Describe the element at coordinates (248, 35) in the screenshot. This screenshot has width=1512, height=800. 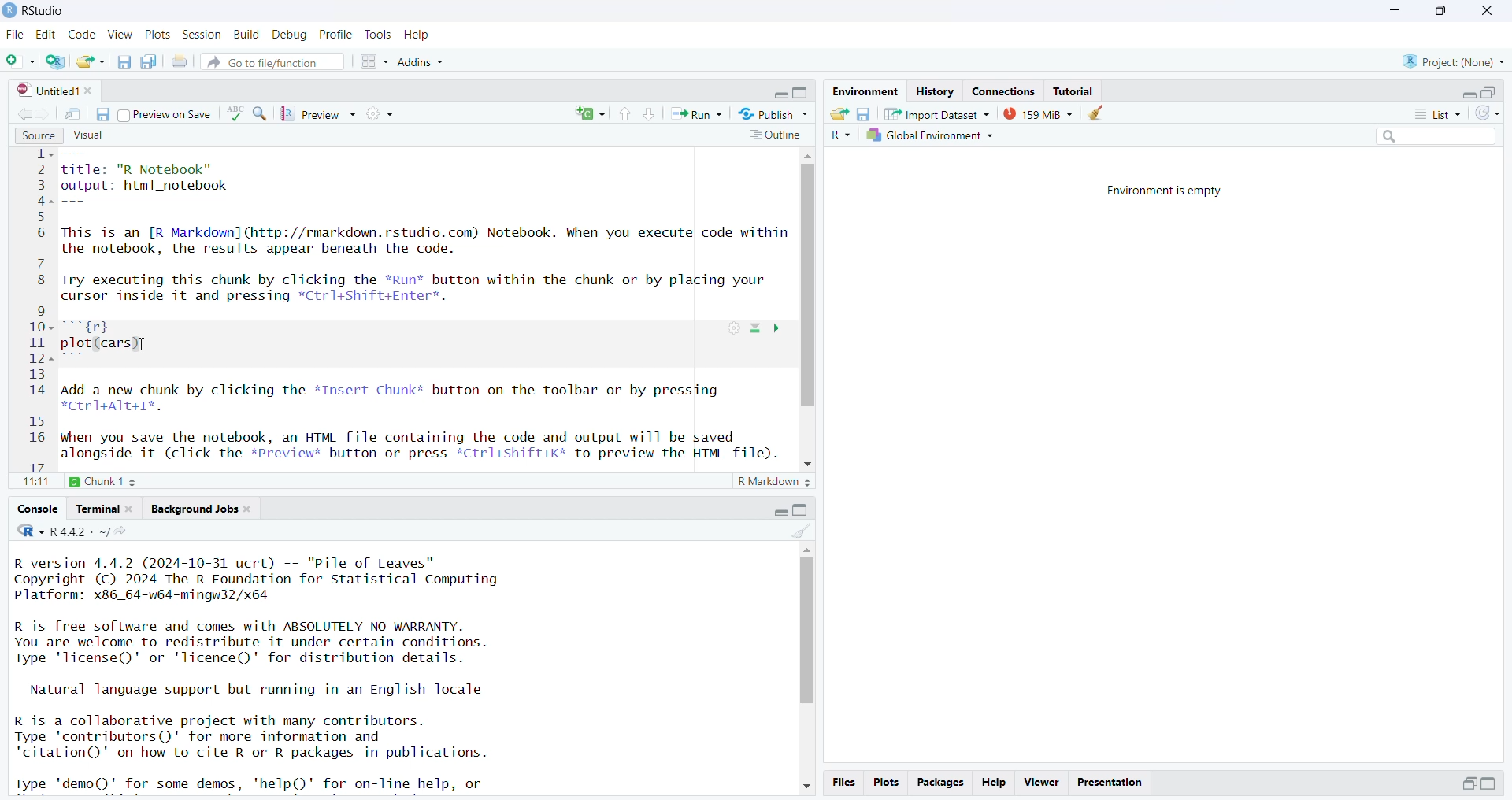
I see `build` at that location.